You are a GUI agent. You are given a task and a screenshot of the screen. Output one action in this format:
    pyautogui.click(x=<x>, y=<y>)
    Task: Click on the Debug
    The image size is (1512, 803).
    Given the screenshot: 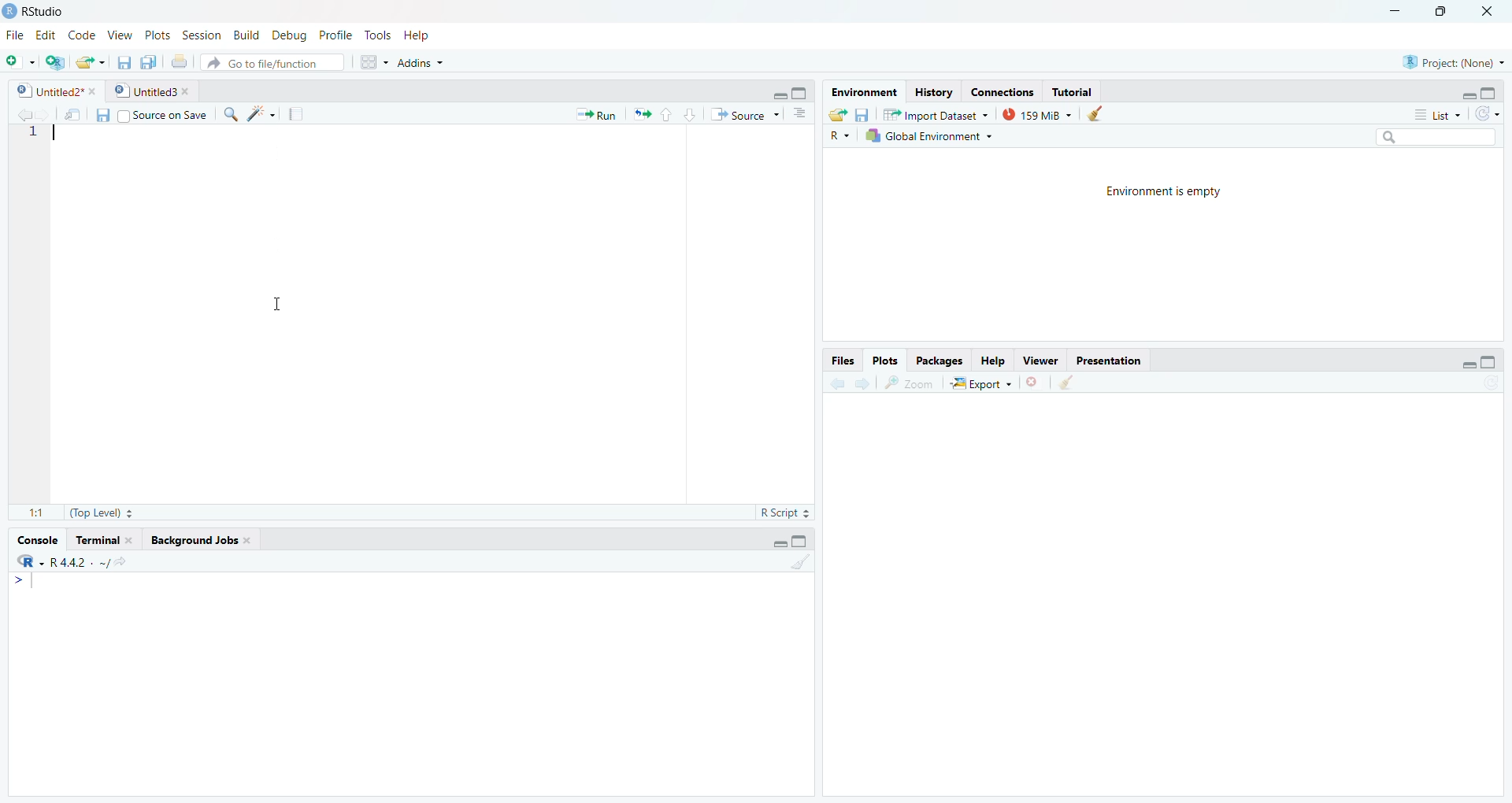 What is the action you would take?
    pyautogui.click(x=287, y=33)
    